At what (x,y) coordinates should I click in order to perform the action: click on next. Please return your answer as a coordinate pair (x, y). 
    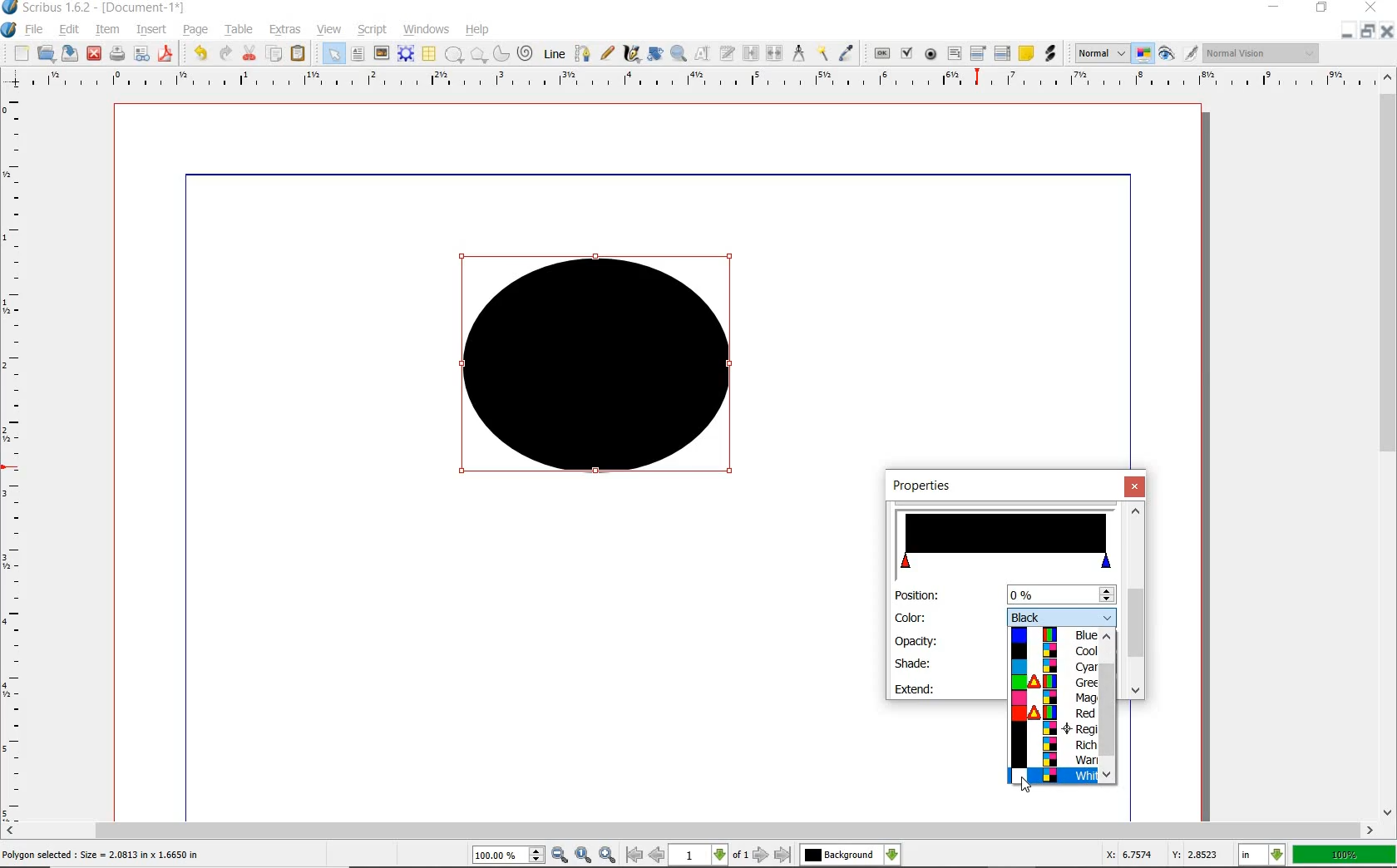
    Looking at the image, I should click on (761, 855).